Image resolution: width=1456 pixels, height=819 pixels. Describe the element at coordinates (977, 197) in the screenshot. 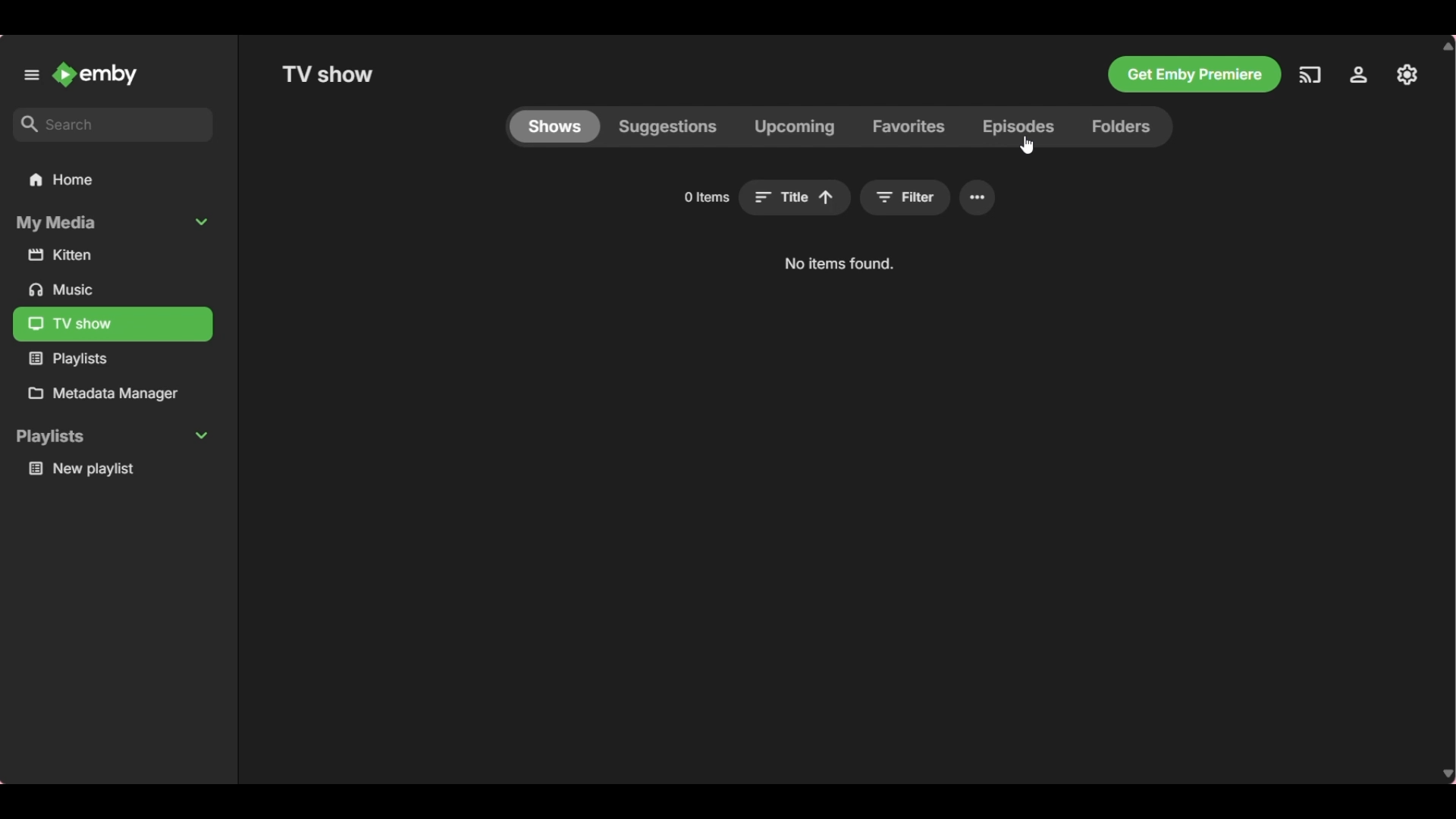

I see `Settings` at that location.